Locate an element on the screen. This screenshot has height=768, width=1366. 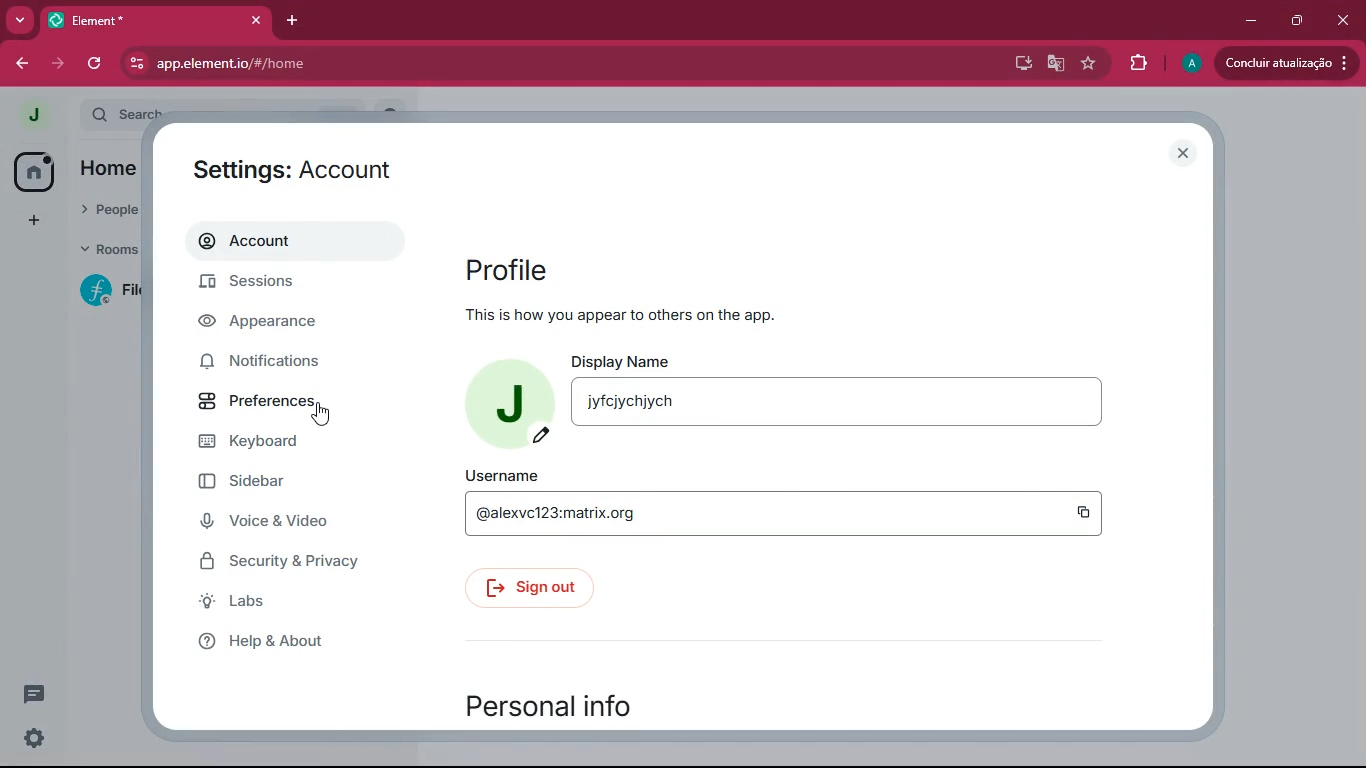
conversation is located at coordinates (30, 694).